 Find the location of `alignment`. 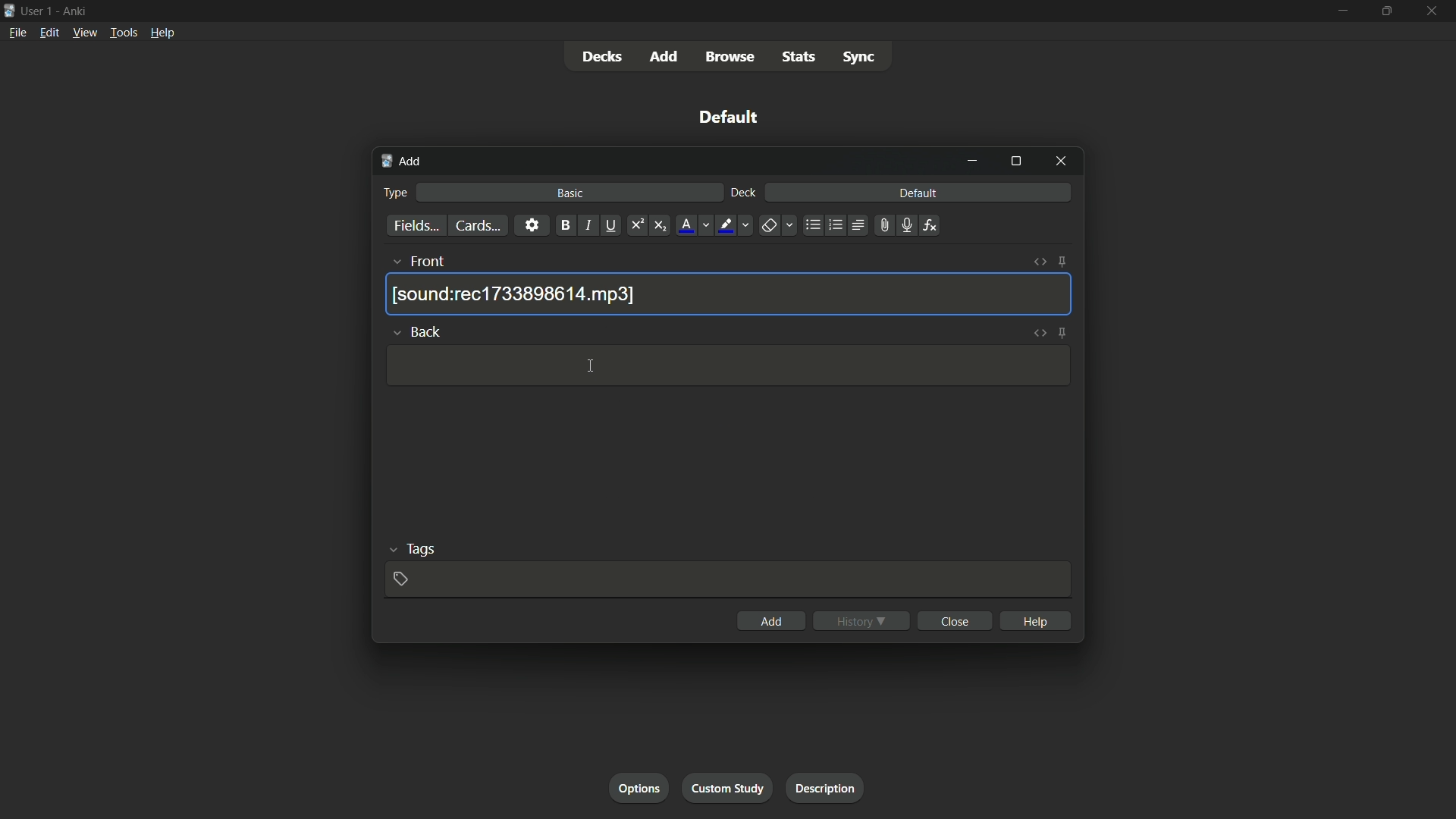

alignment is located at coordinates (858, 227).